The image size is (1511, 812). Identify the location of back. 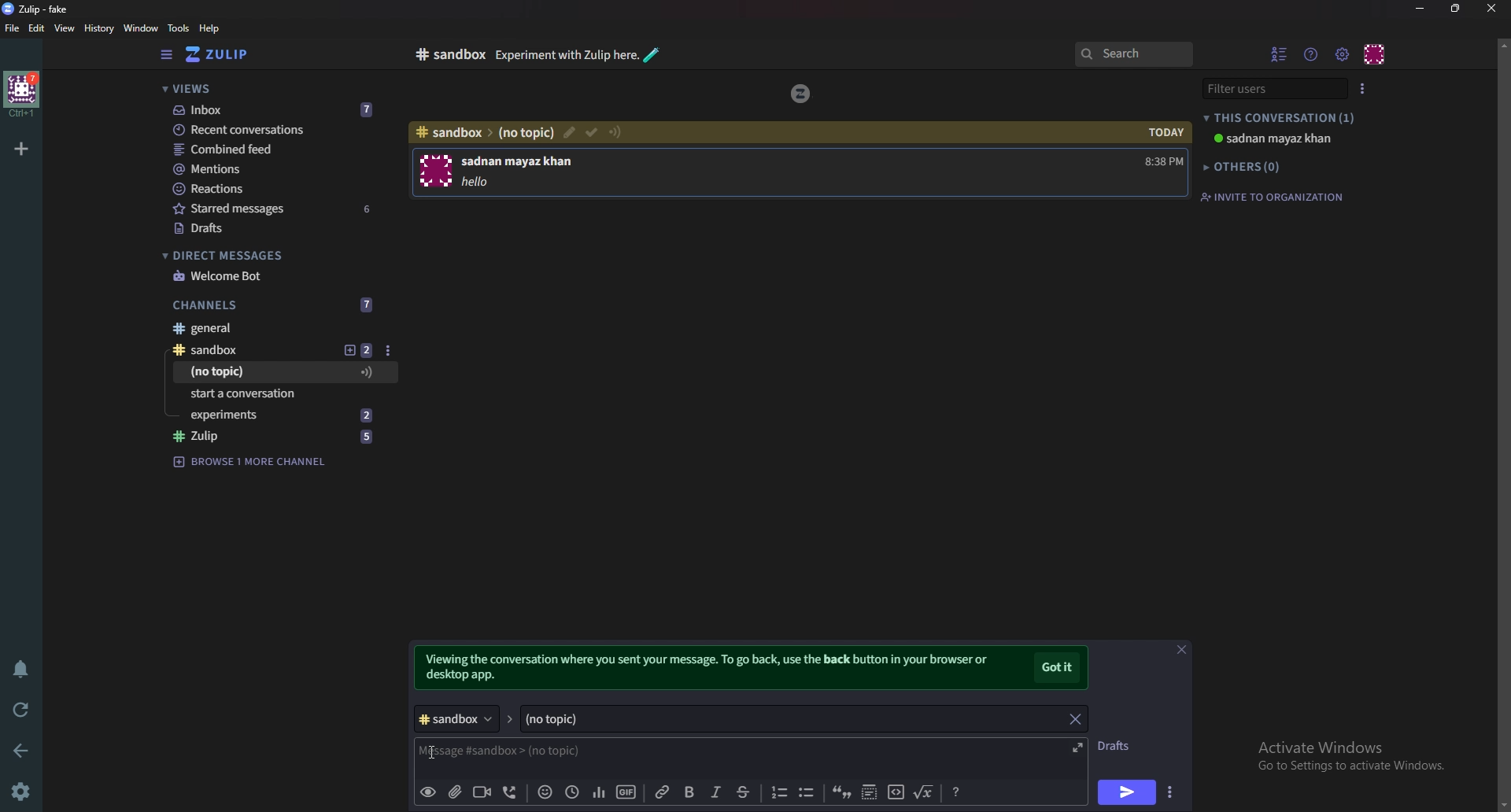
(22, 751).